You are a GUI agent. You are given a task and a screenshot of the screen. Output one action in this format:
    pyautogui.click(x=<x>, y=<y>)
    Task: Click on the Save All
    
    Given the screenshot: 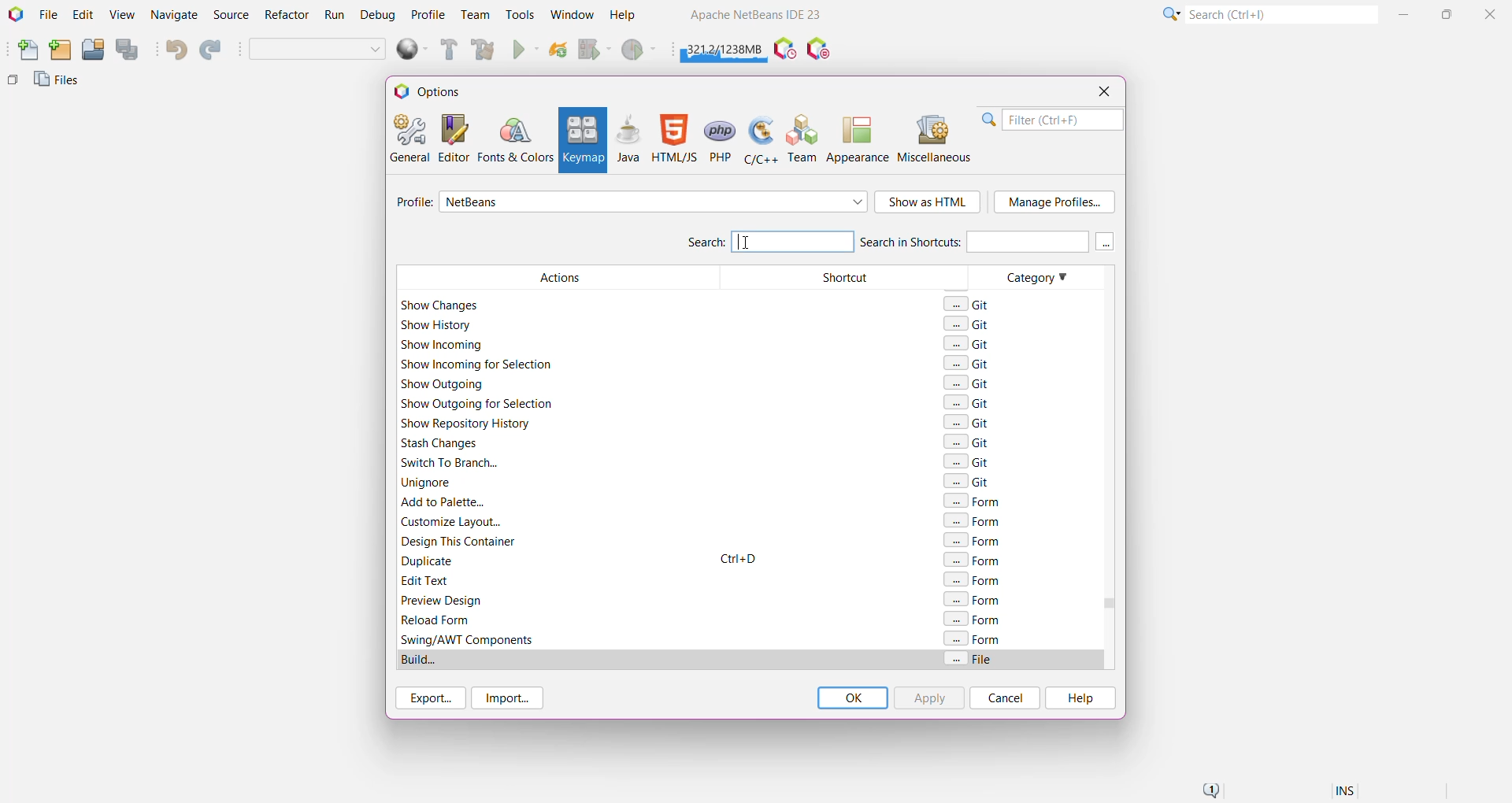 What is the action you would take?
    pyautogui.click(x=128, y=50)
    